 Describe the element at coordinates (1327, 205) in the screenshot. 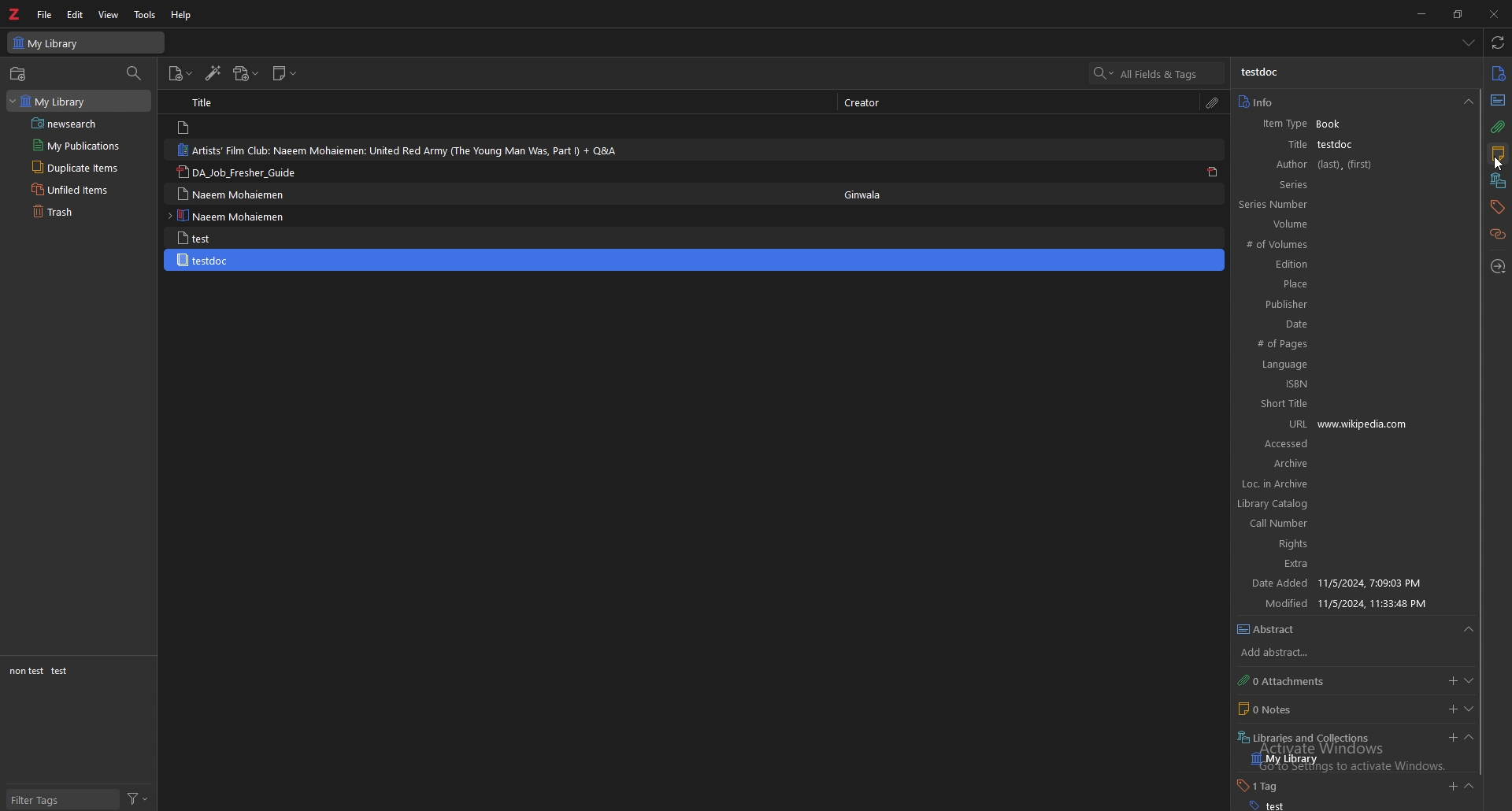

I see `series number` at that location.